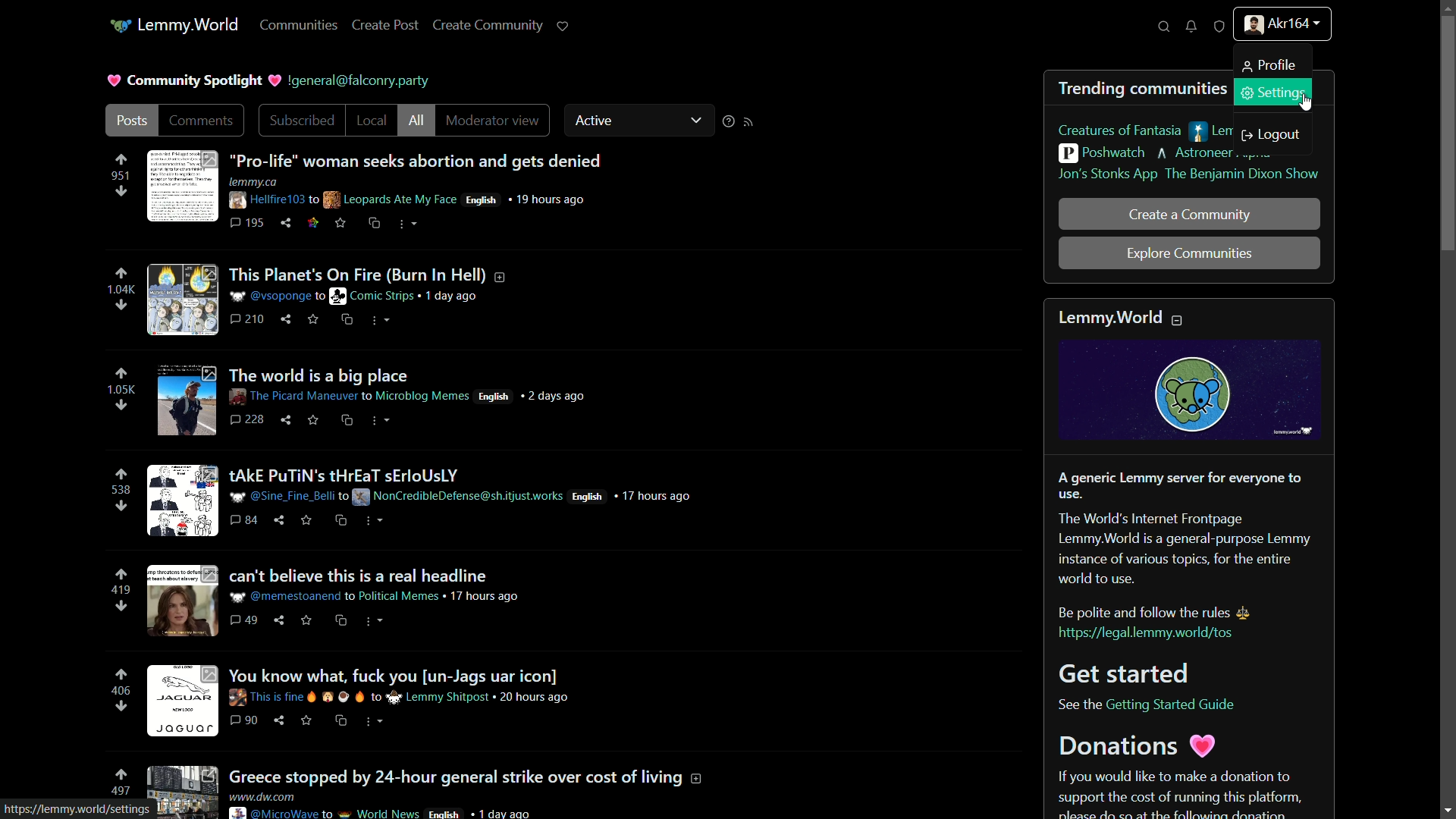 Image resolution: width=1456 pixels, height=819 pixels. I want to click on number of vote, so click(120, 491).